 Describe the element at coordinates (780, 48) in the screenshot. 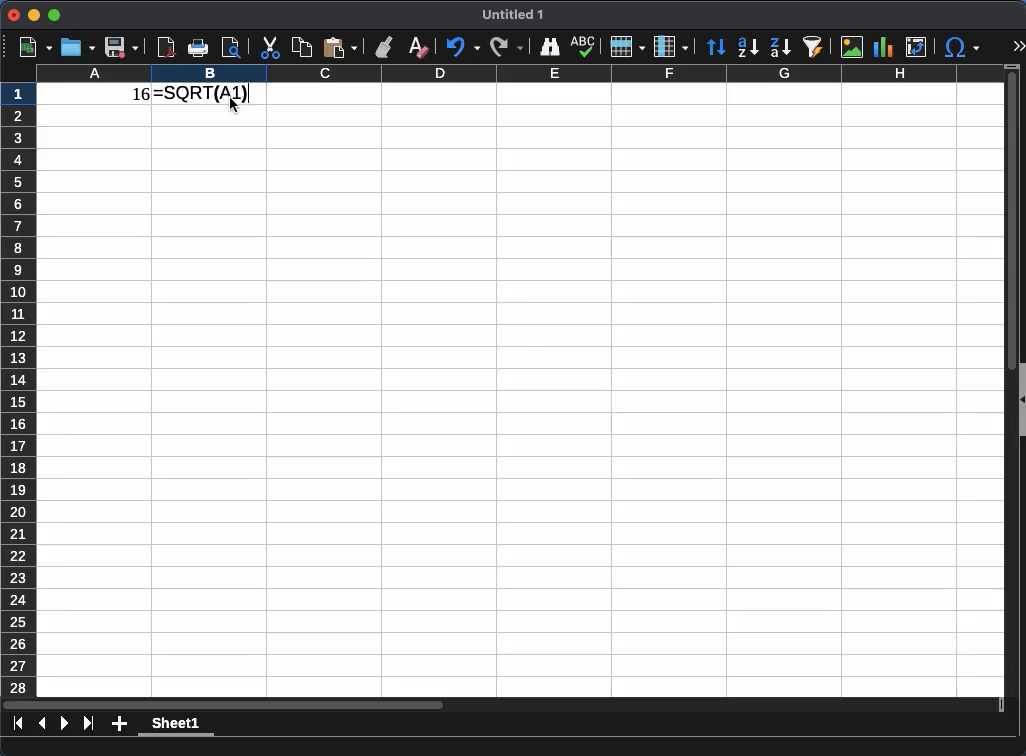

I see `descending` at that location.